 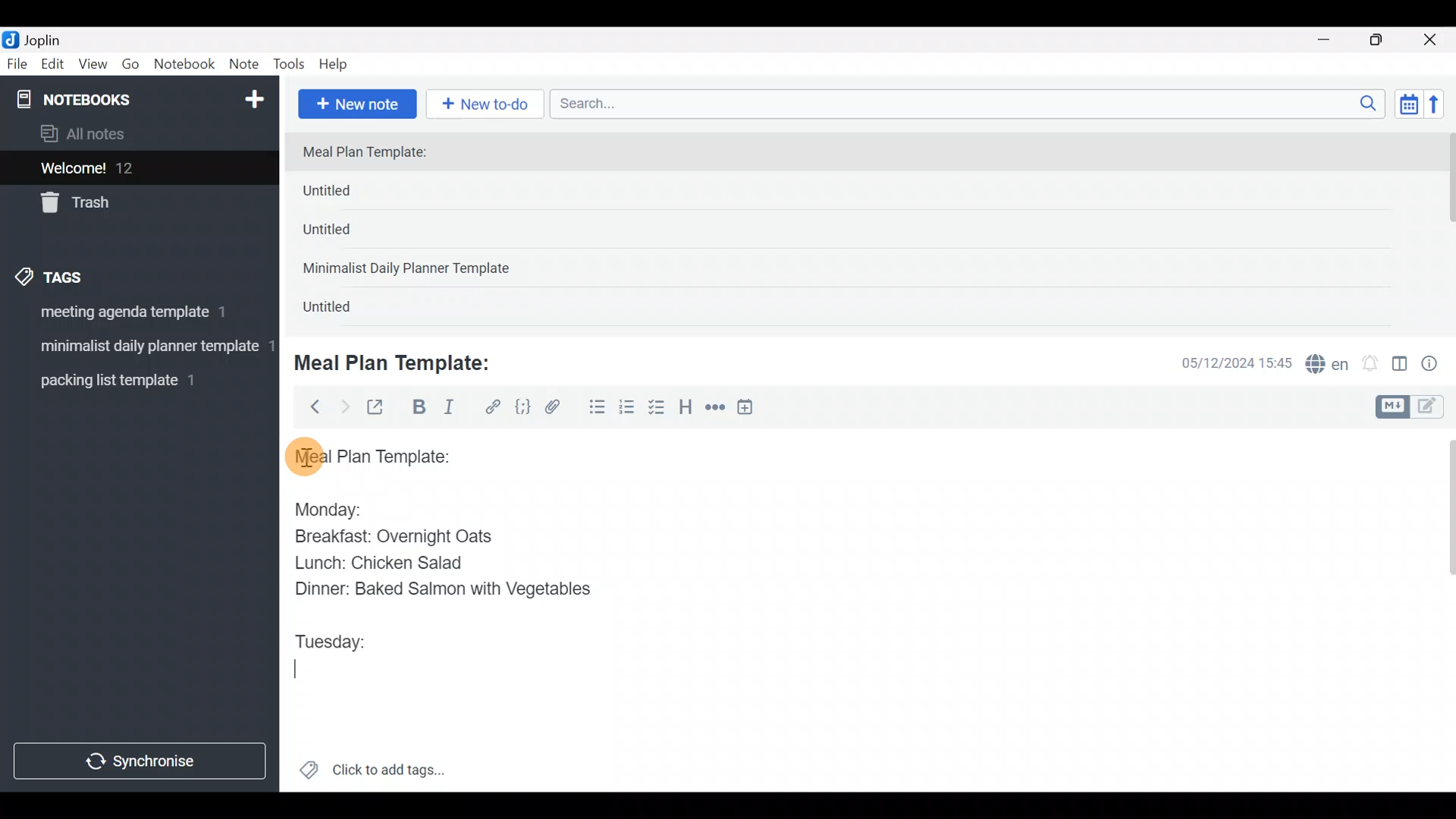 What do you see at coordinates (752, 409) in the screenshot?
I see `Insert time` at bounding box center [752, 409].